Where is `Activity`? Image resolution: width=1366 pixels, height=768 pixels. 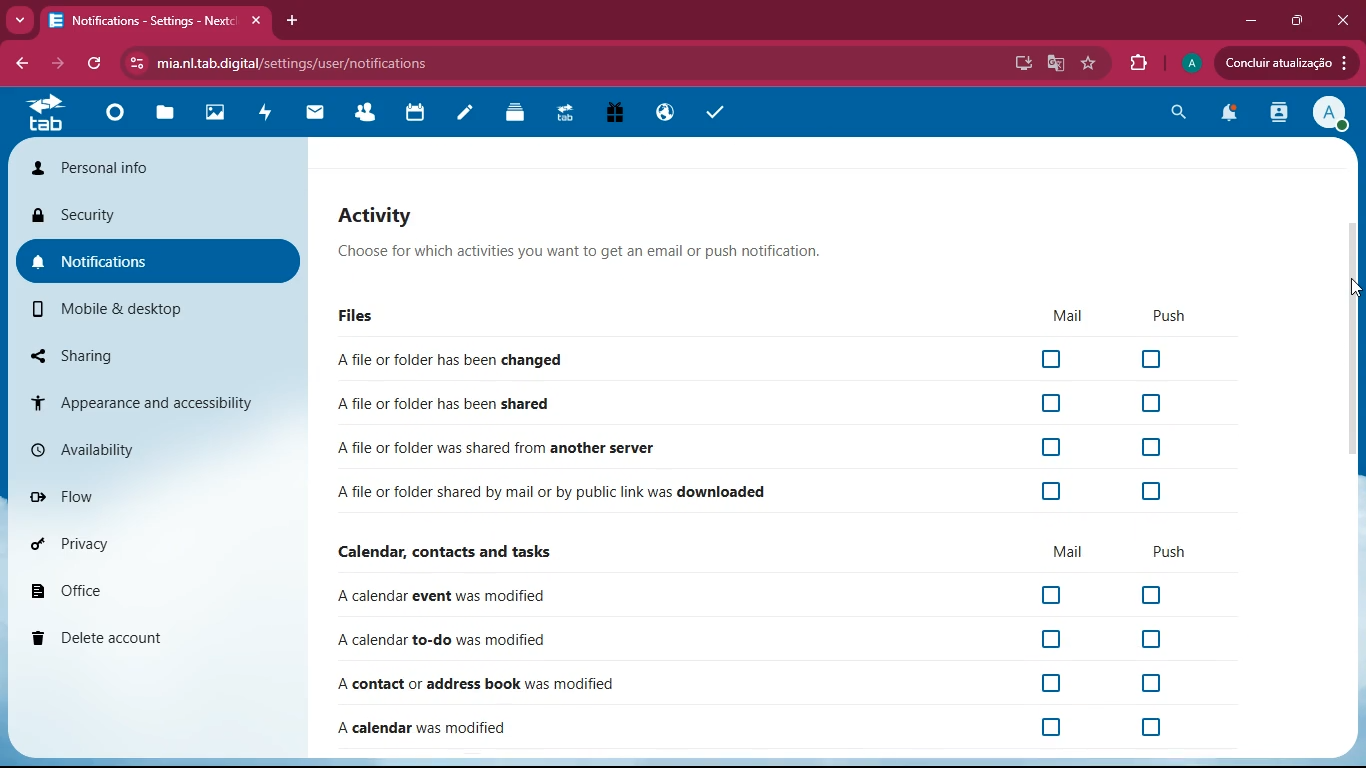
Activity is located at coordinates (582, 212).